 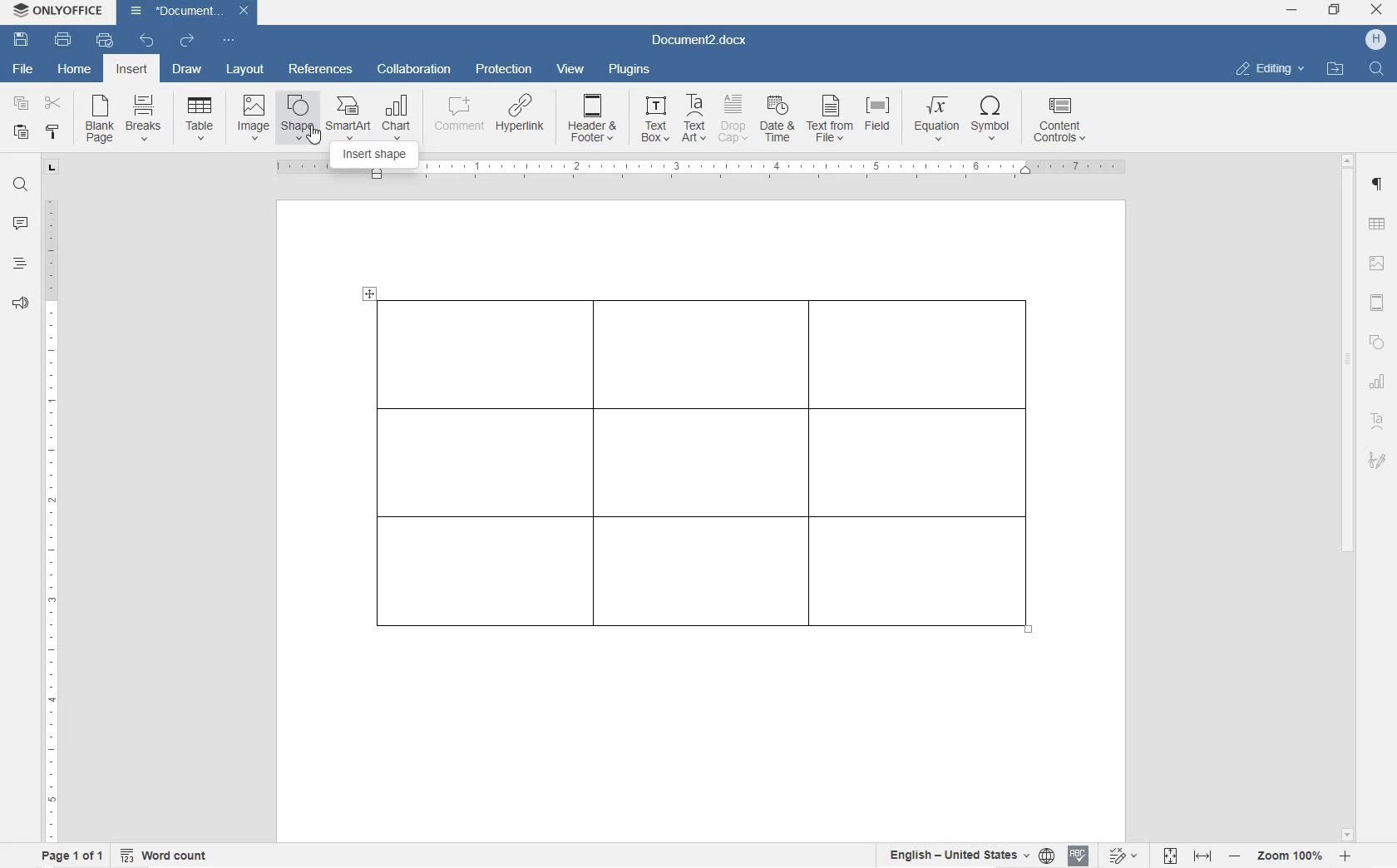 What do you see at coordinates (131, 70) in the screenshot?
I see `insert` at bounding box center [131, 70].